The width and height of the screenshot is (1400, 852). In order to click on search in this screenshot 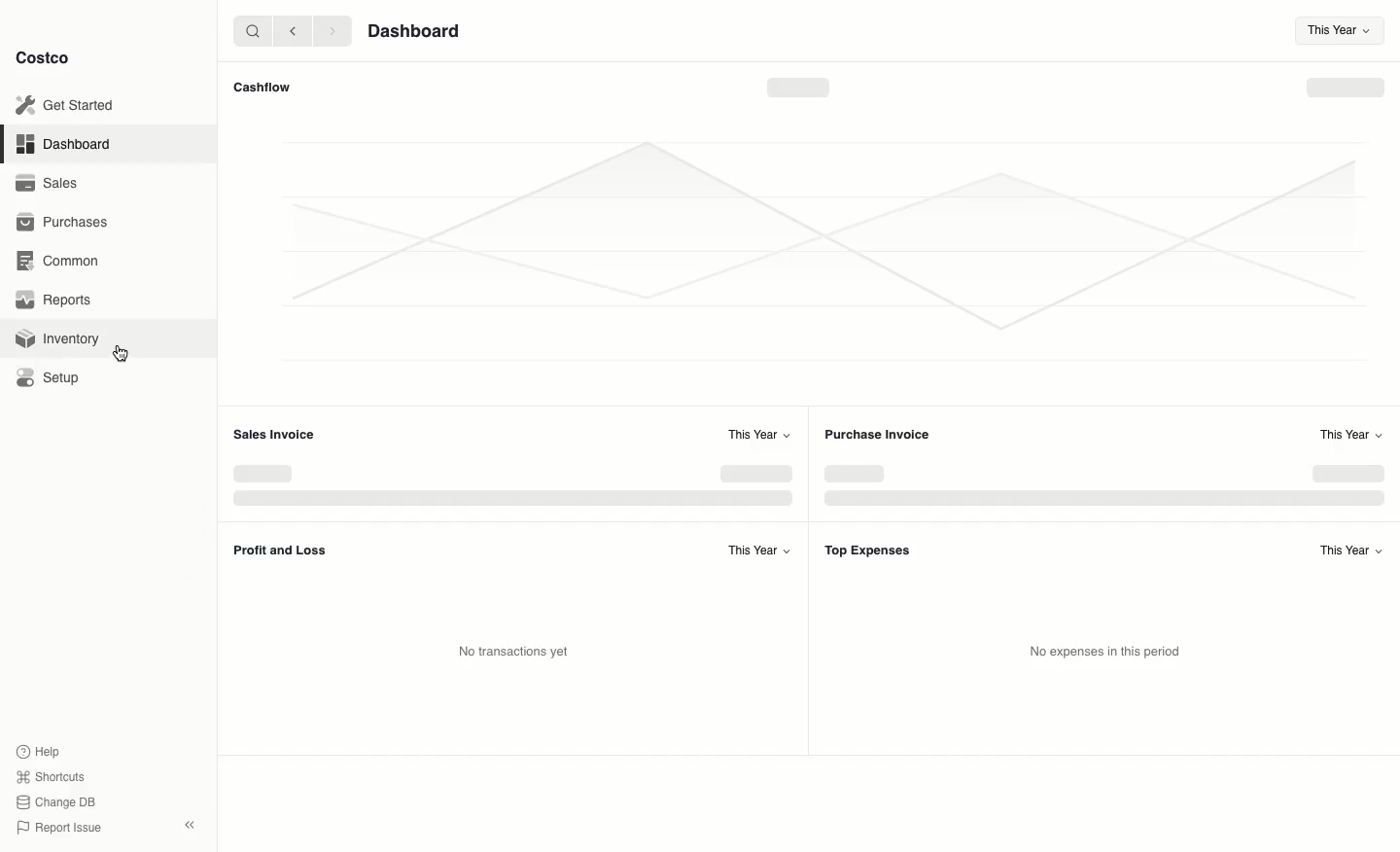, I will do `click(255, 32)`.